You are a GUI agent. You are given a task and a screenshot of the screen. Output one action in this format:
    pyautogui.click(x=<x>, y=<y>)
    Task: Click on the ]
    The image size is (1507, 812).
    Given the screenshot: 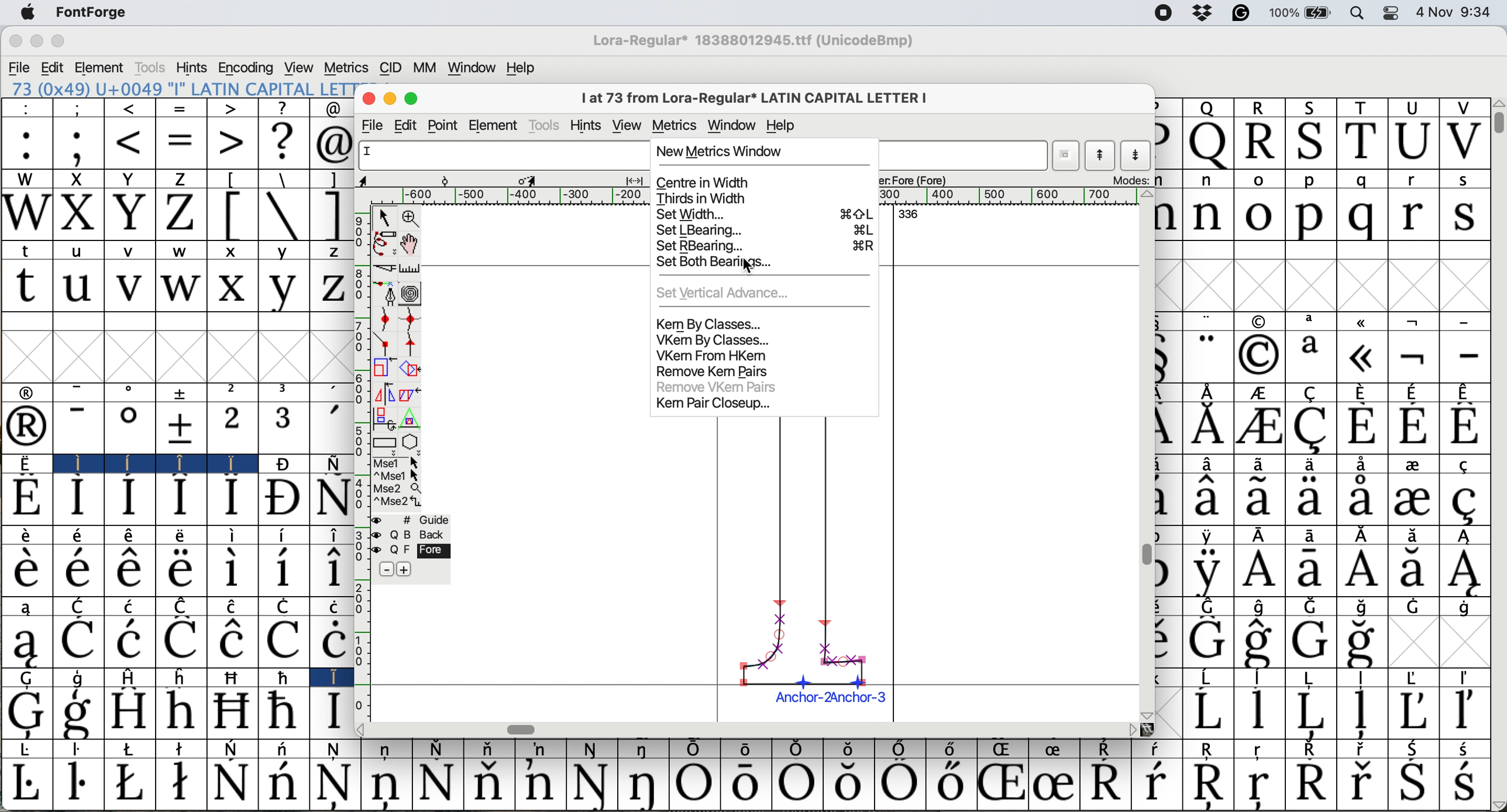 What is the action you would take?
    pyautogui.click(x=333, y=180)
    